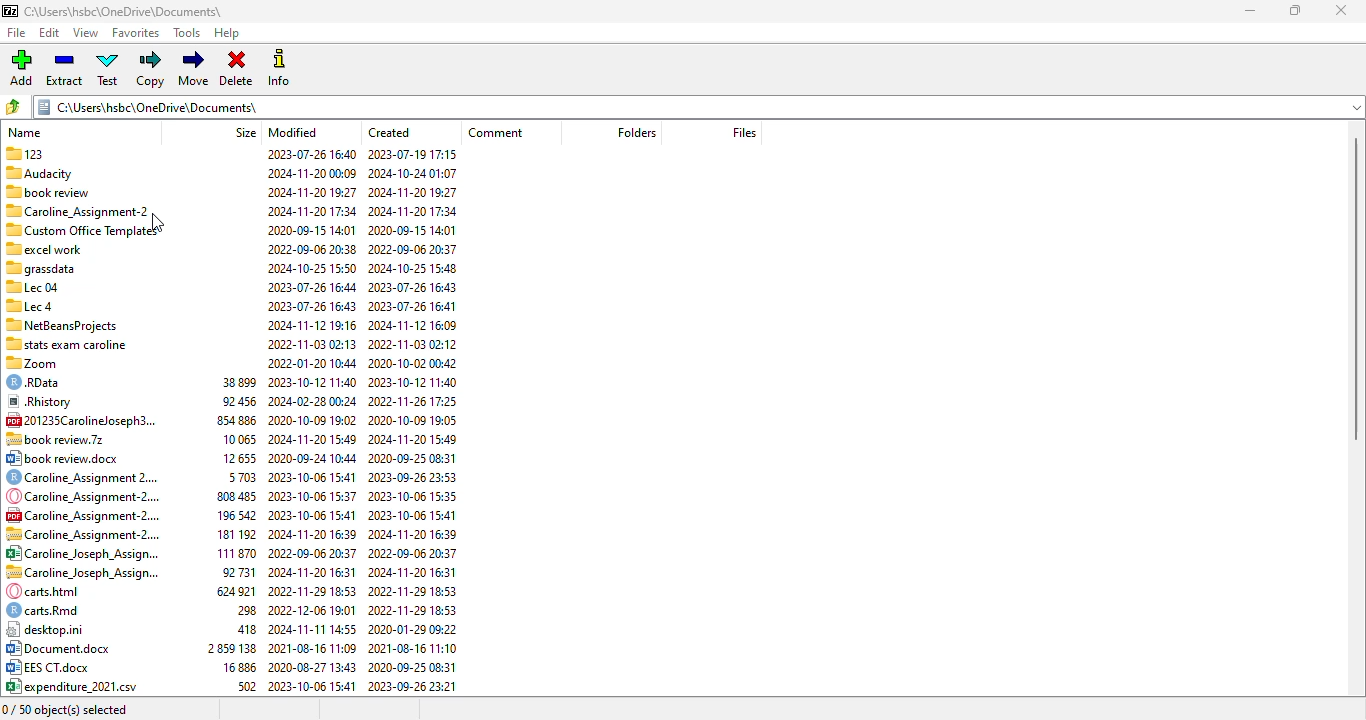 Image resolution: width=1366 pixels, height=720 pixels. Describe the element at coordinates (237, 669) in the screenshot. I see `16886` at that location.